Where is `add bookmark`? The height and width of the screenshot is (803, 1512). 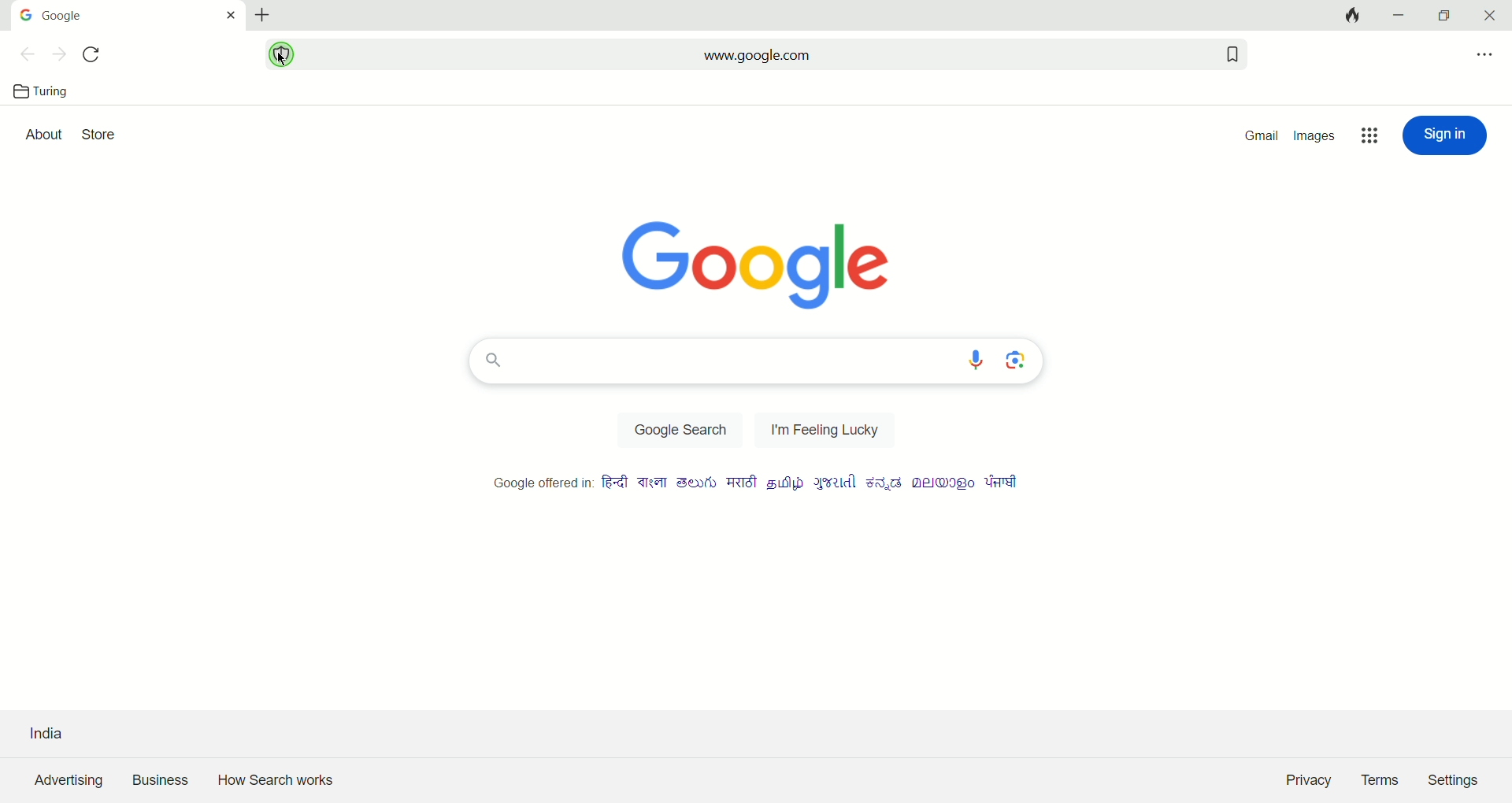
add bookmark is located at coordinates (1226, 54).